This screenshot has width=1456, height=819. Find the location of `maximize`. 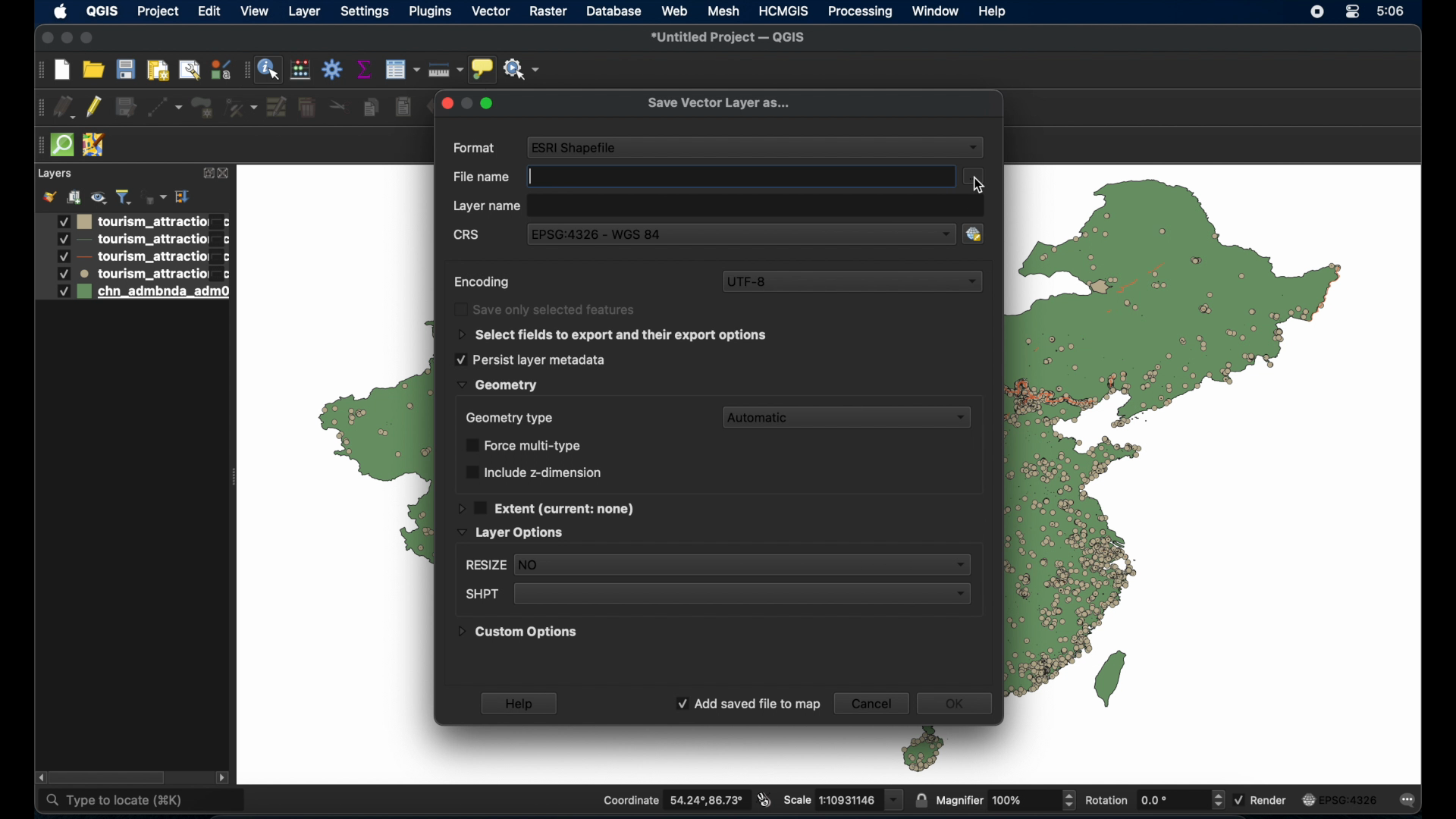

maximize is located at coordinates (90, 37).